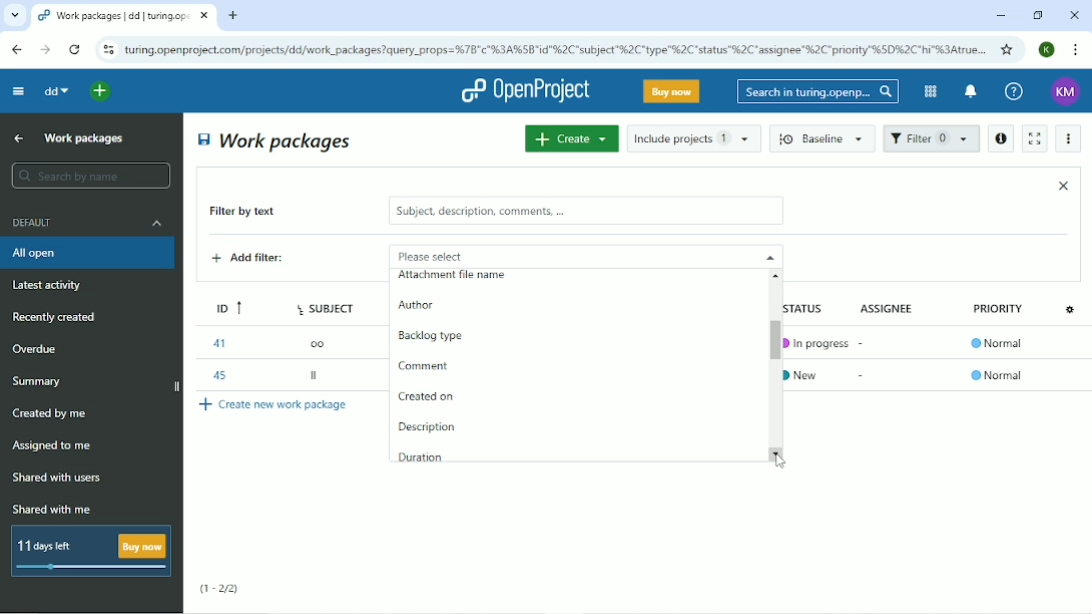 The height and width of the screenshot is (614, 1092). Describe the element at coordinates (769, 342) in the screenshot. I see `Vertical scrollbar` at that location.